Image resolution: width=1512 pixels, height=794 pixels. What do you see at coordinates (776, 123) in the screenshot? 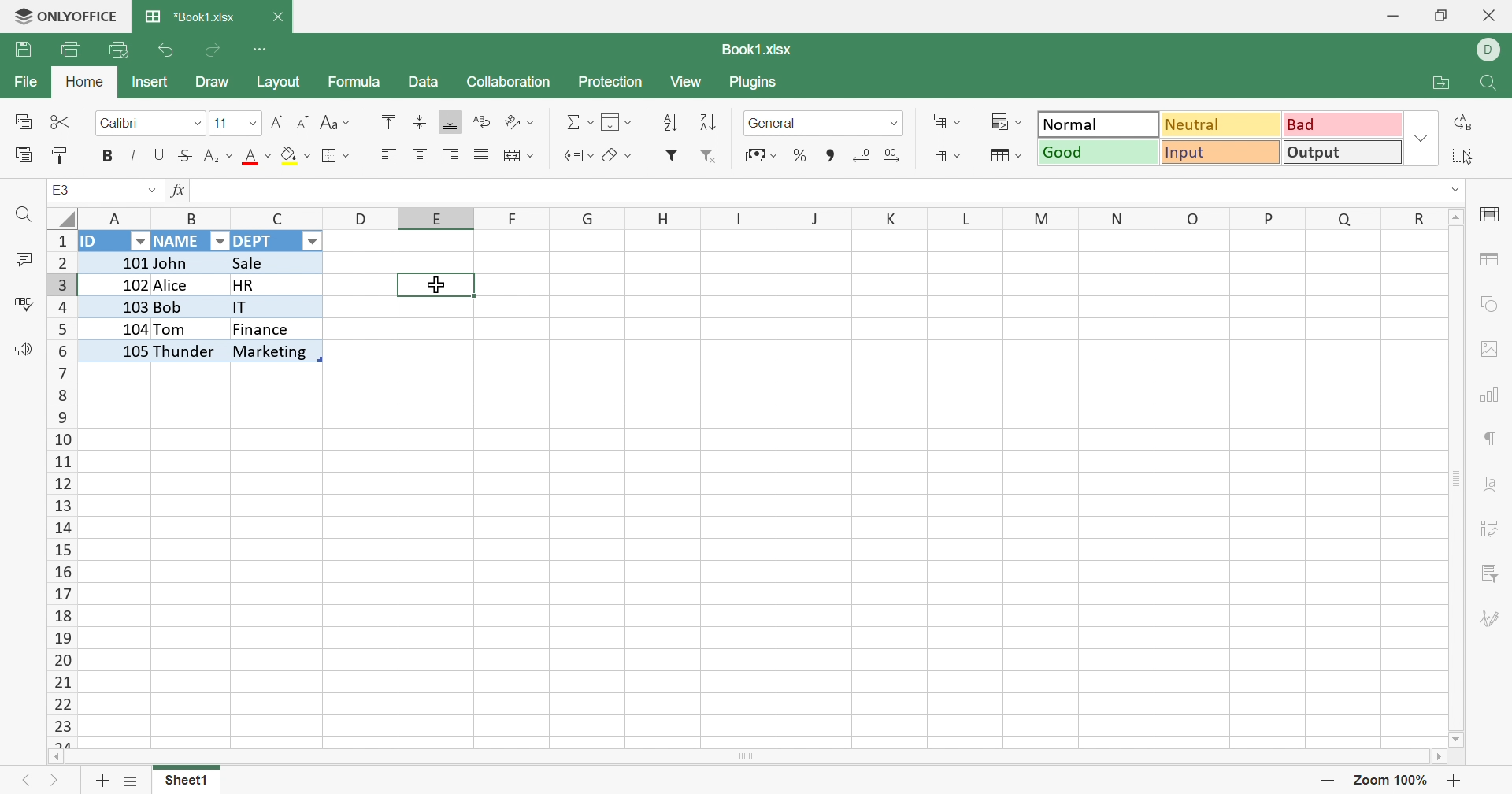
I see `General` at bounding box center [776, 123].